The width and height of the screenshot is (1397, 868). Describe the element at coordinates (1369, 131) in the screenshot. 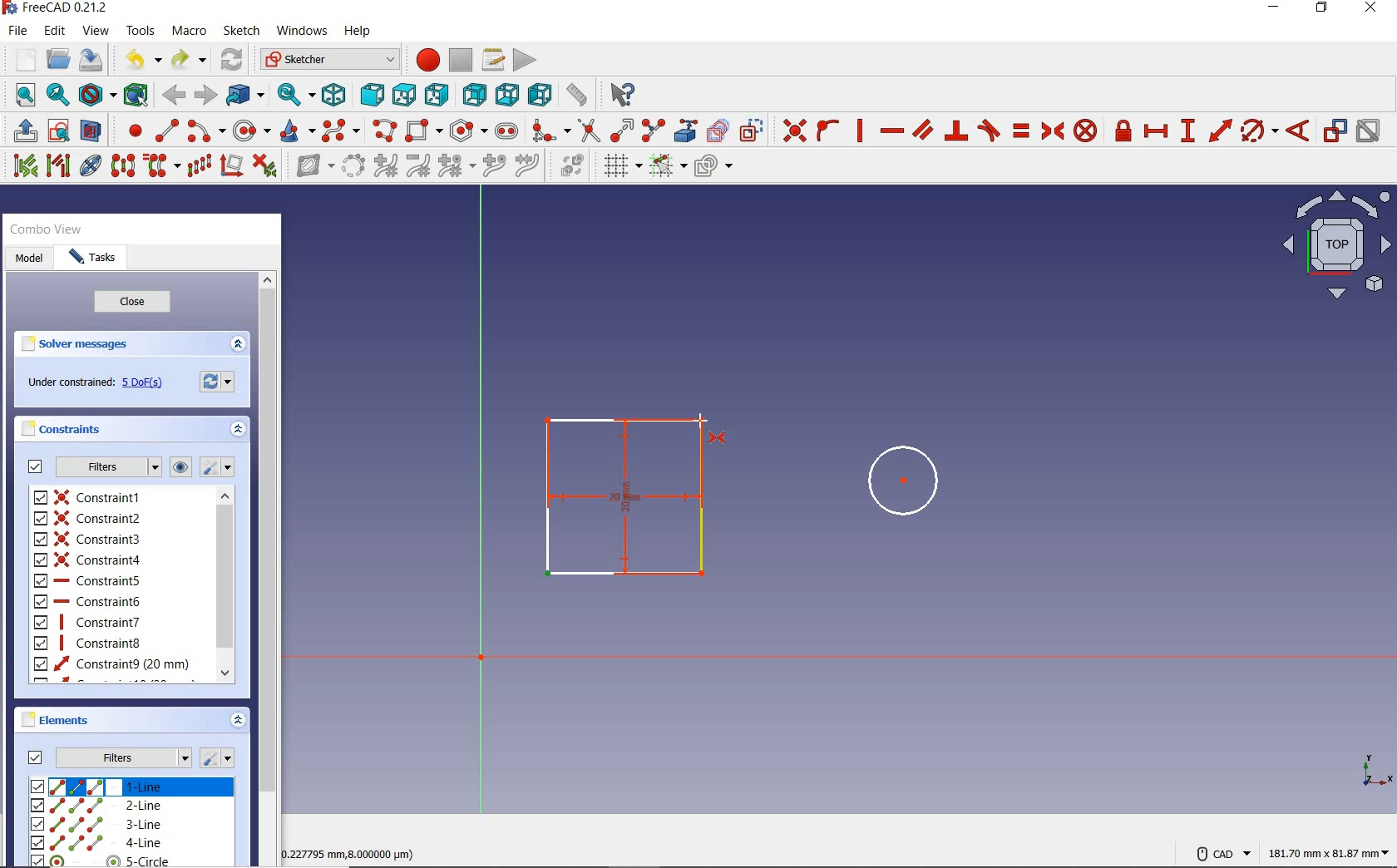

I see `activate/deactivate constraint` at that location.